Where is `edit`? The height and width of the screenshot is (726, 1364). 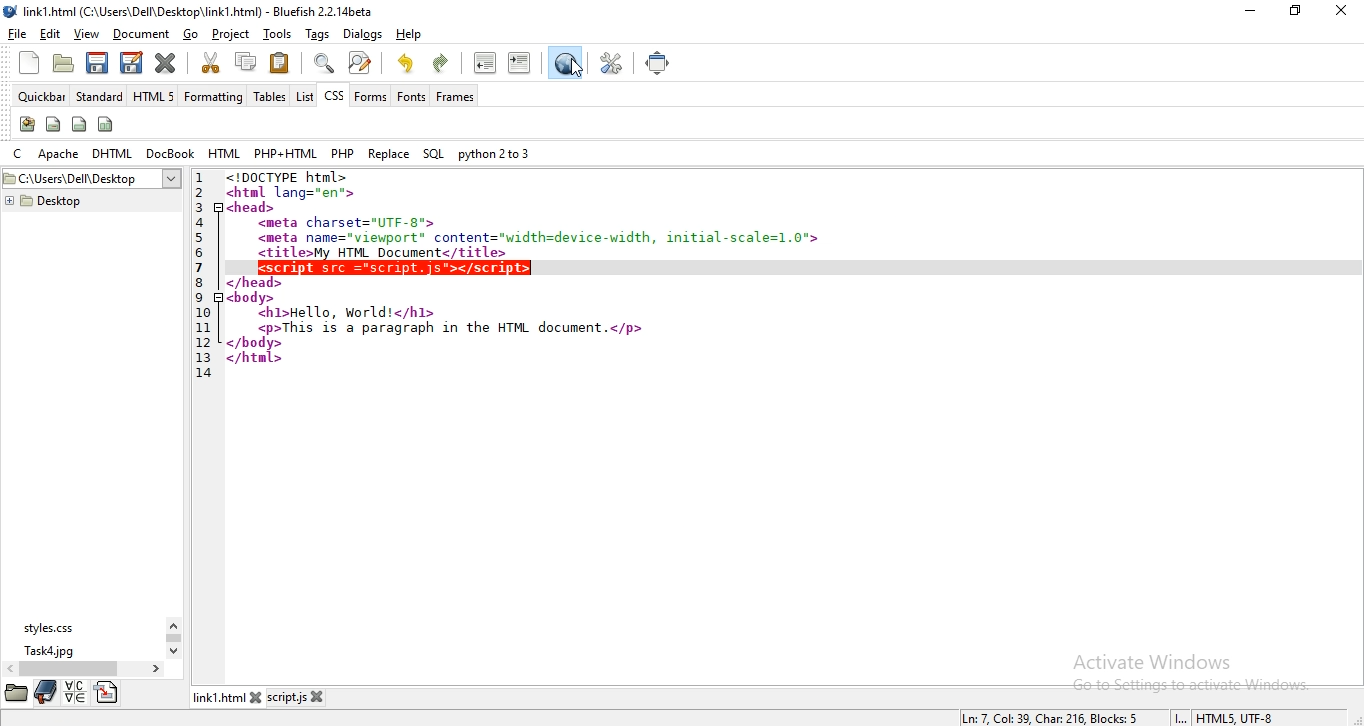
edit is located at coordinates (49, 33).